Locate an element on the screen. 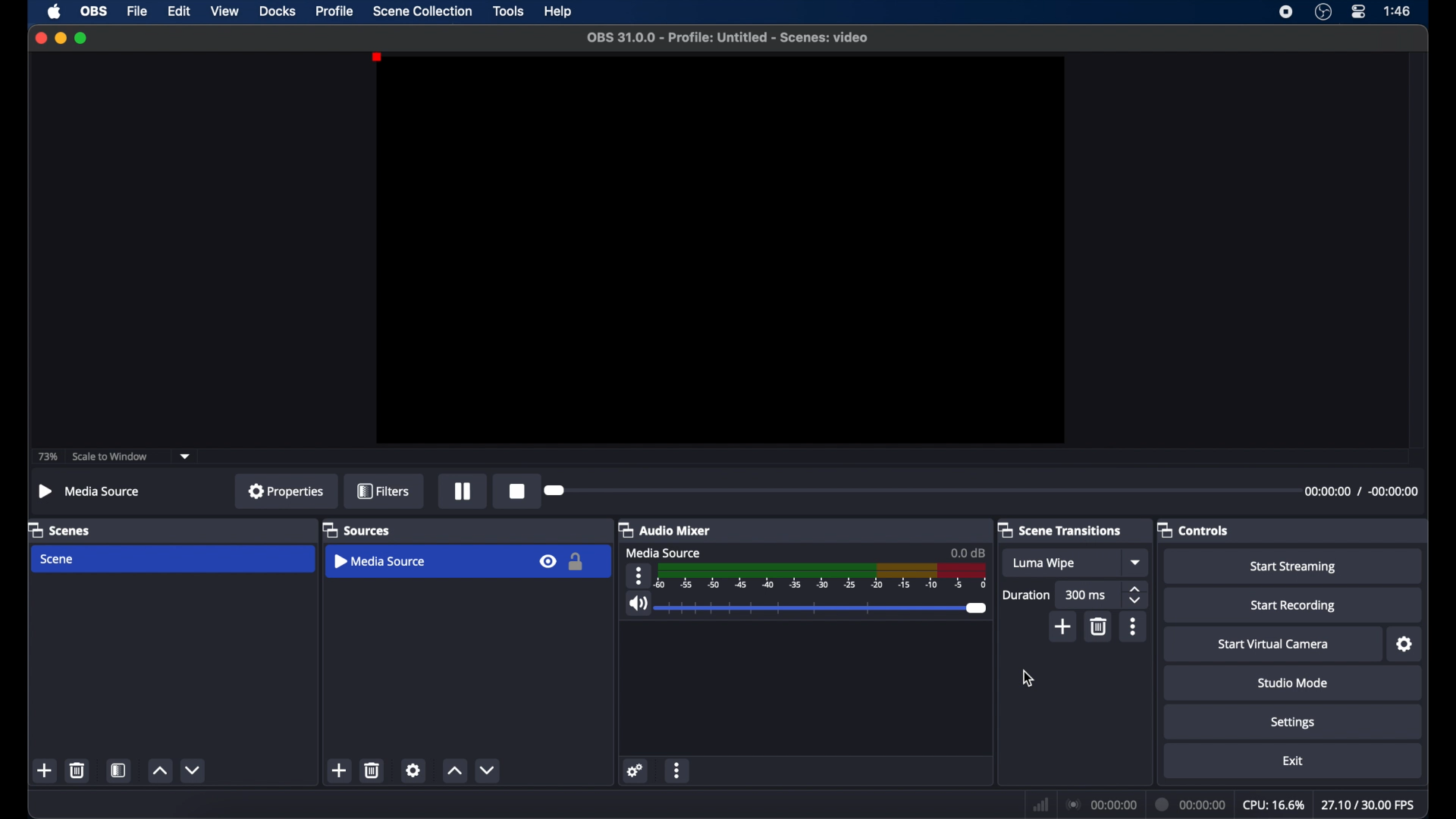 The image size is (1456, 819). settings is located at coordinates (1294, 723).